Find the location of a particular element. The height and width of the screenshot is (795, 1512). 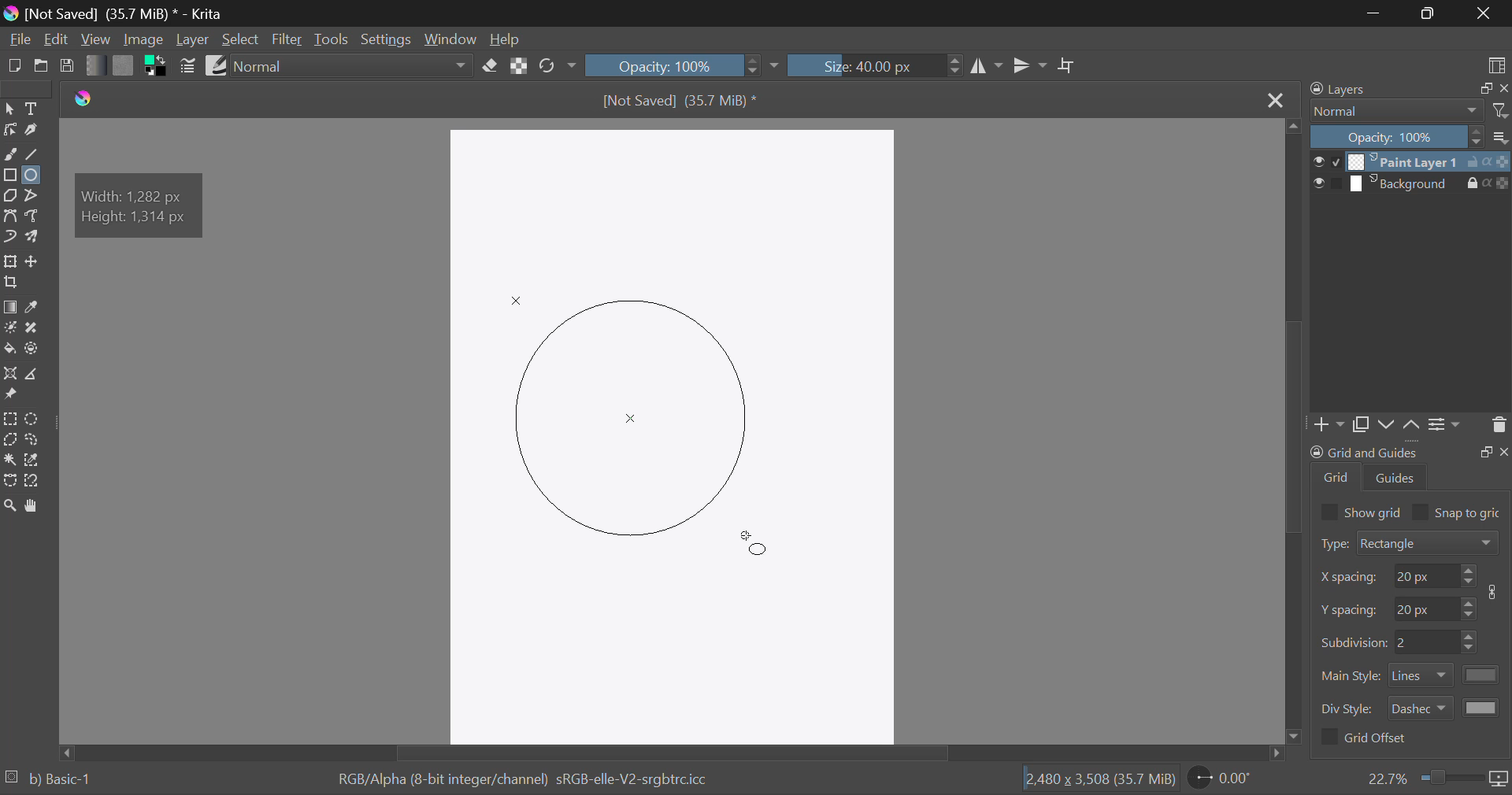

move left is located at coordinates (68, 749).